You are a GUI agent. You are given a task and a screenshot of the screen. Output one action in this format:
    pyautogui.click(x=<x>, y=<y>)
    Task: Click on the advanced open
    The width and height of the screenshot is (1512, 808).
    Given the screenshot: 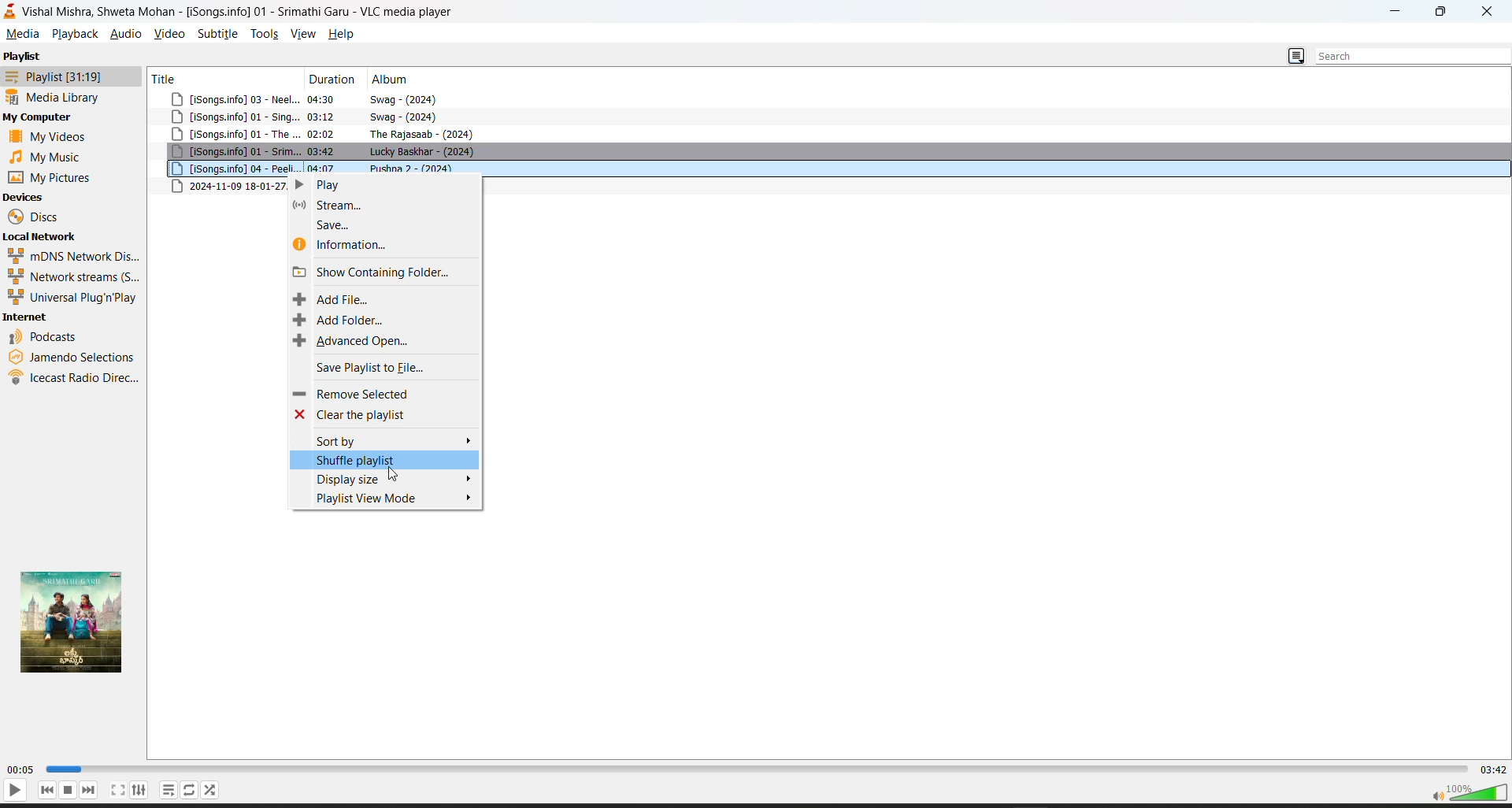 What is the action you would take?
    pyautogui.click(x=351, y=342)
    